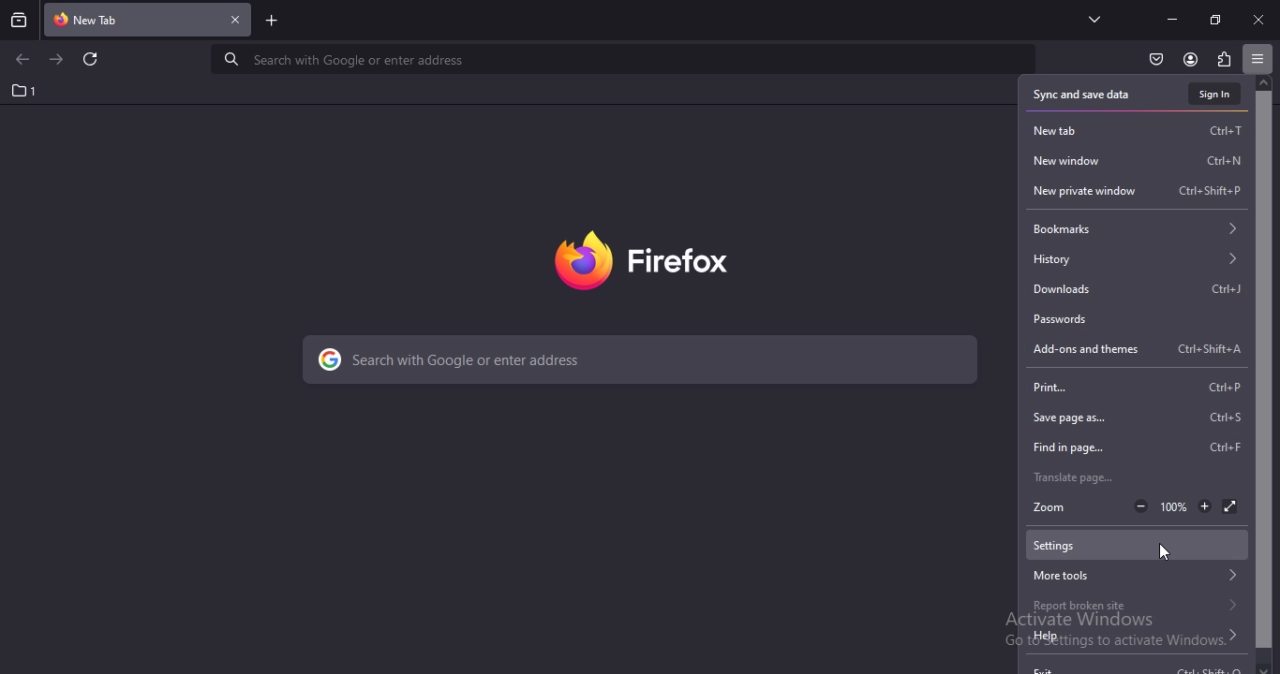 This screenshot has height=674, width=1280. Describe the element at coordinates (235, 19) in the screenshot. I see `close tab` at that location.